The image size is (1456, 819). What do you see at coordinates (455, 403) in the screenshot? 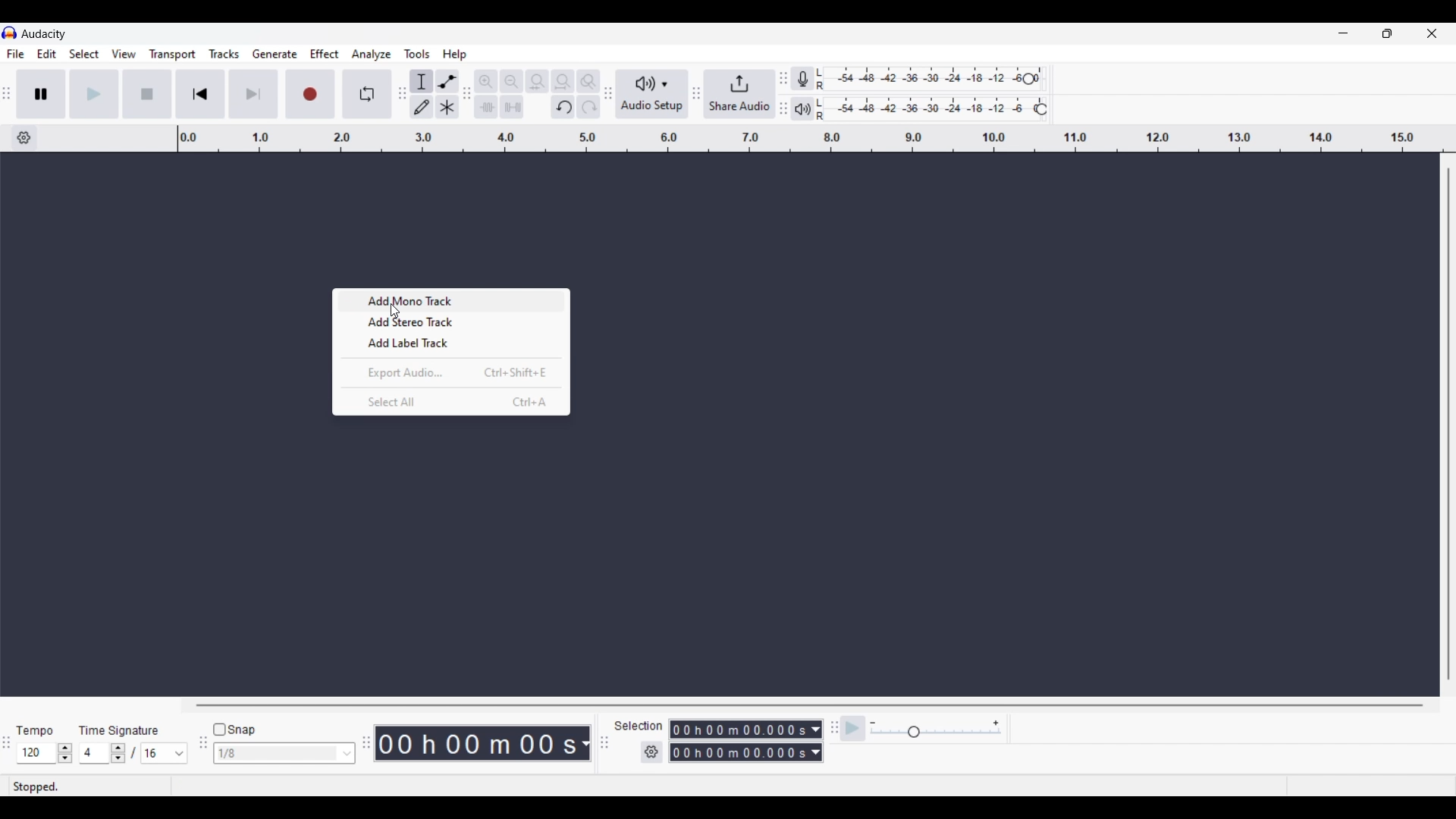
I see `Select All` at bounding box center [455, 403].